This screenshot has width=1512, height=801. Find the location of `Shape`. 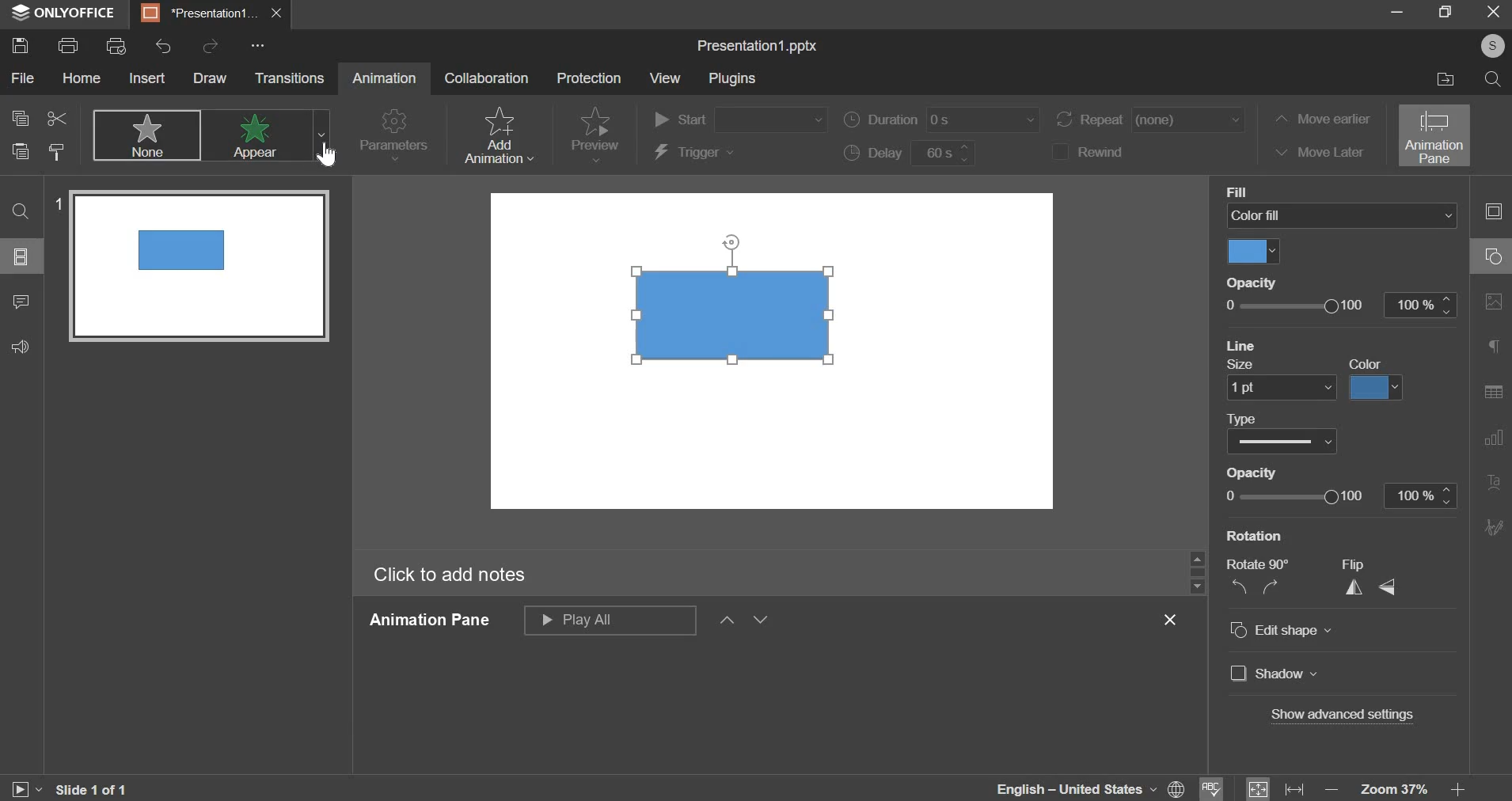

Shape is located at coordinates (743, 313).